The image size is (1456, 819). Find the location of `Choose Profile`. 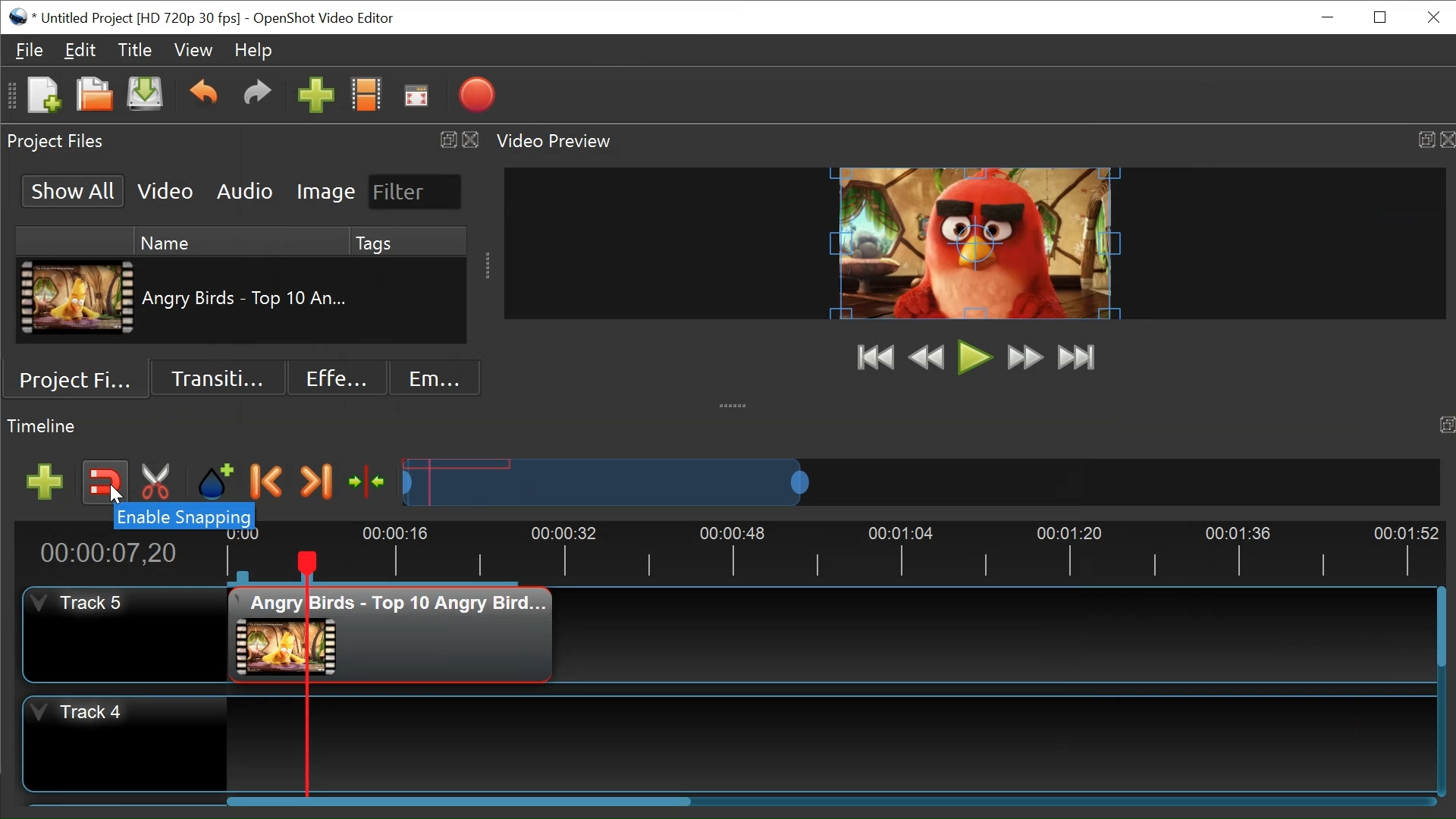

Choose Profile is located at coordinates (367, 98).